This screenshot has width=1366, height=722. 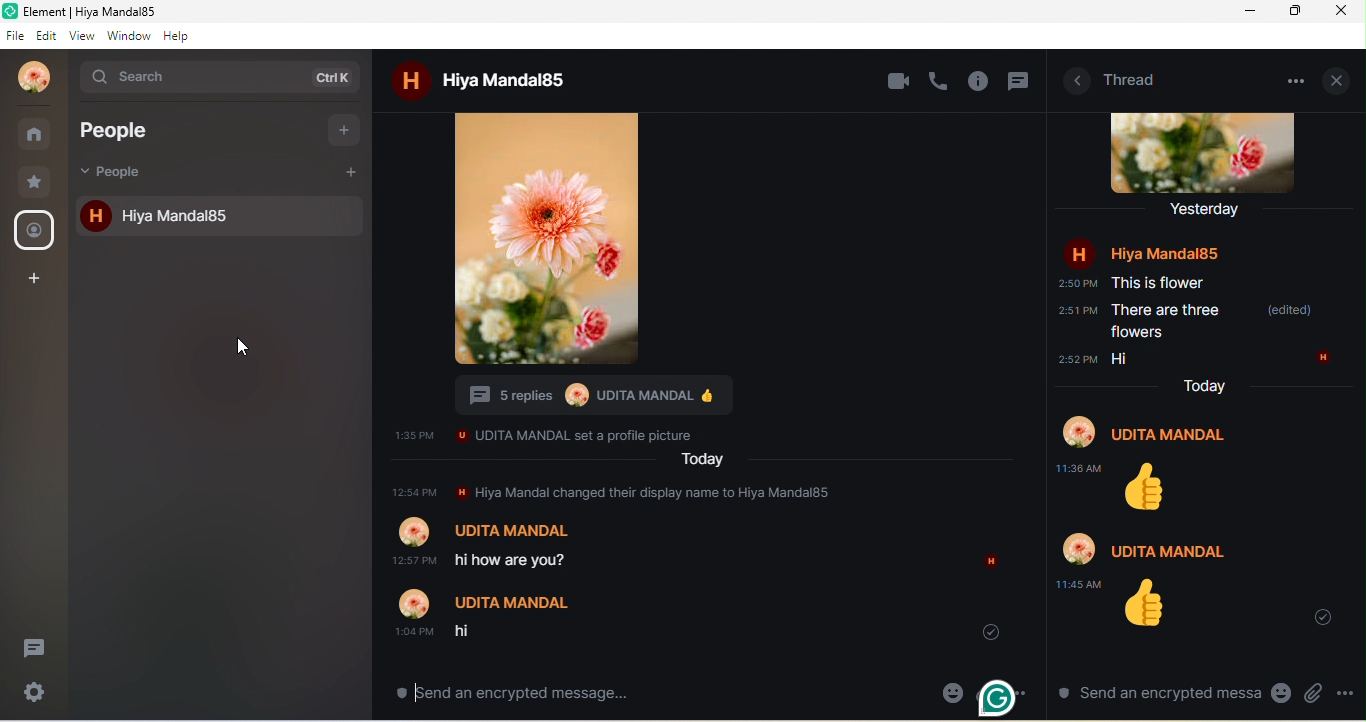 What do you see at coordinates (998, 694) in the screenshot?
I see `grammarly extension` at bounding box center [998, 694].